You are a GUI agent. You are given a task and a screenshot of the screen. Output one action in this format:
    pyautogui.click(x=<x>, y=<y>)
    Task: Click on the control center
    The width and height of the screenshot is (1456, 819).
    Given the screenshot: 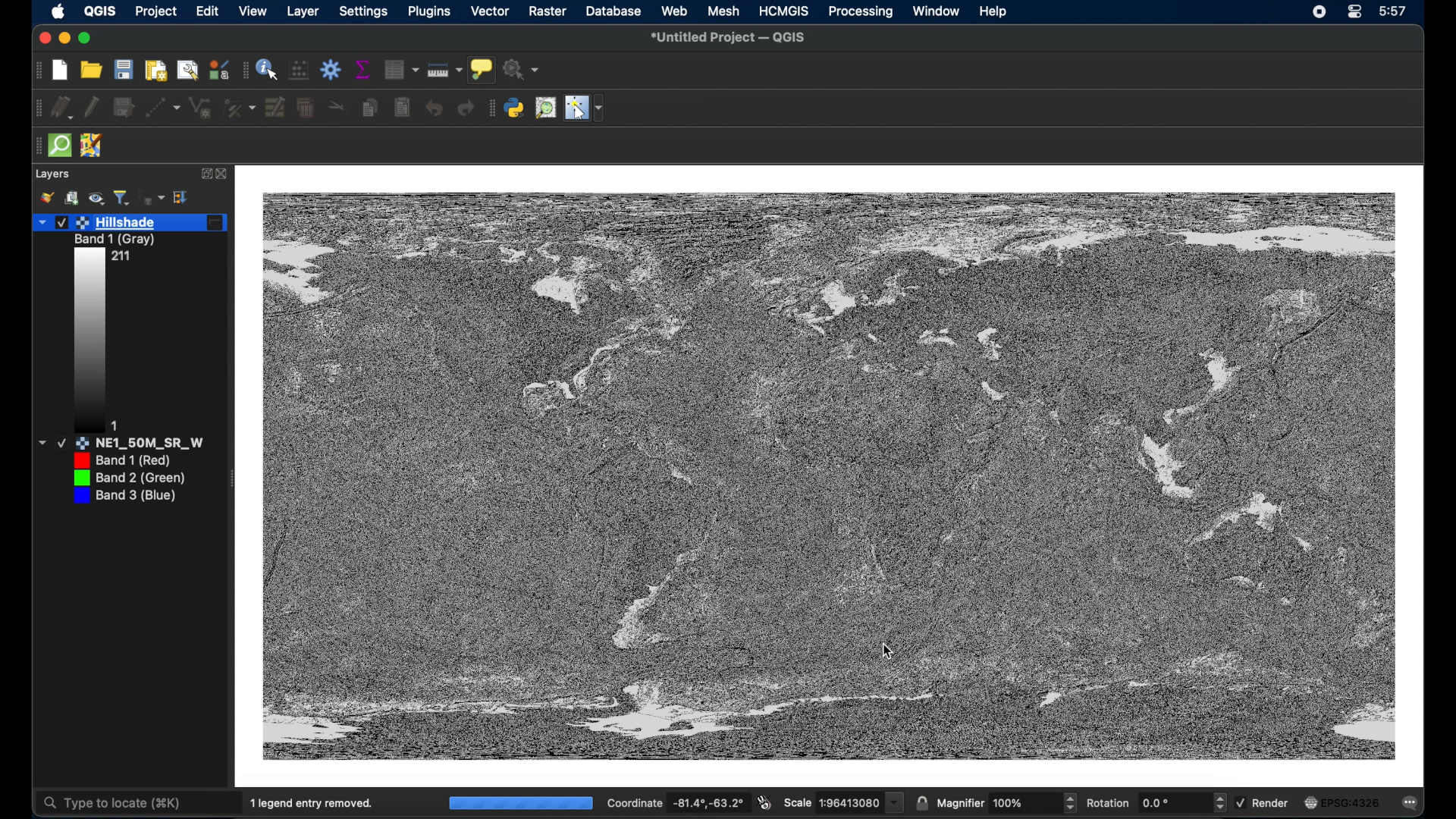 What is the action you would take?
    pyautogui.click(x=1356, y=13)
    